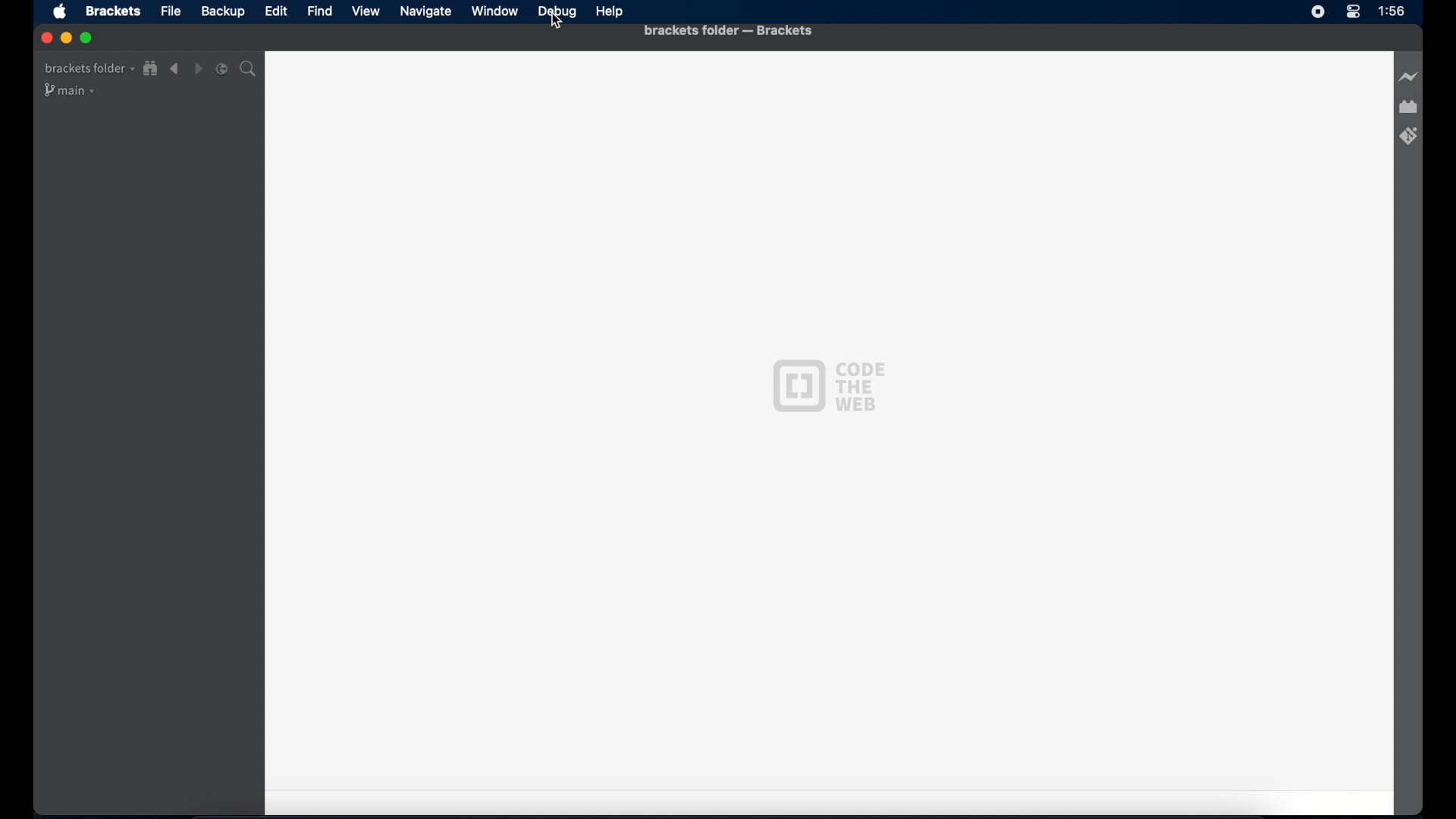 Image resolution: width=1456 pixels, height=819 pixels. Describe the element at coordinates (59, 12) in the screenshot. I see `apple icon` at that location.